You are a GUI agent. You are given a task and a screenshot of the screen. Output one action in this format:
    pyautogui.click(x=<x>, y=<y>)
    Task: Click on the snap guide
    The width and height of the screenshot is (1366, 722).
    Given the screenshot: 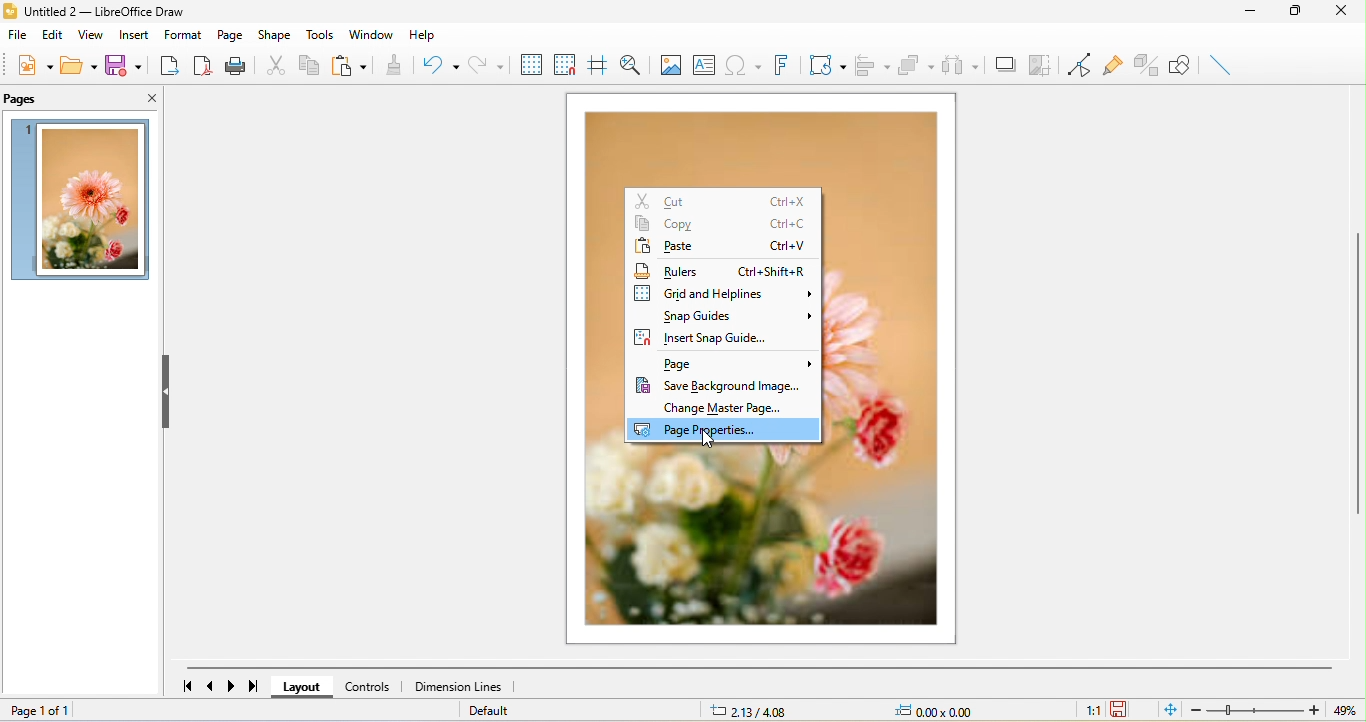 What is the action you would take?
    pyautogui.click(x=739, y=314)
    